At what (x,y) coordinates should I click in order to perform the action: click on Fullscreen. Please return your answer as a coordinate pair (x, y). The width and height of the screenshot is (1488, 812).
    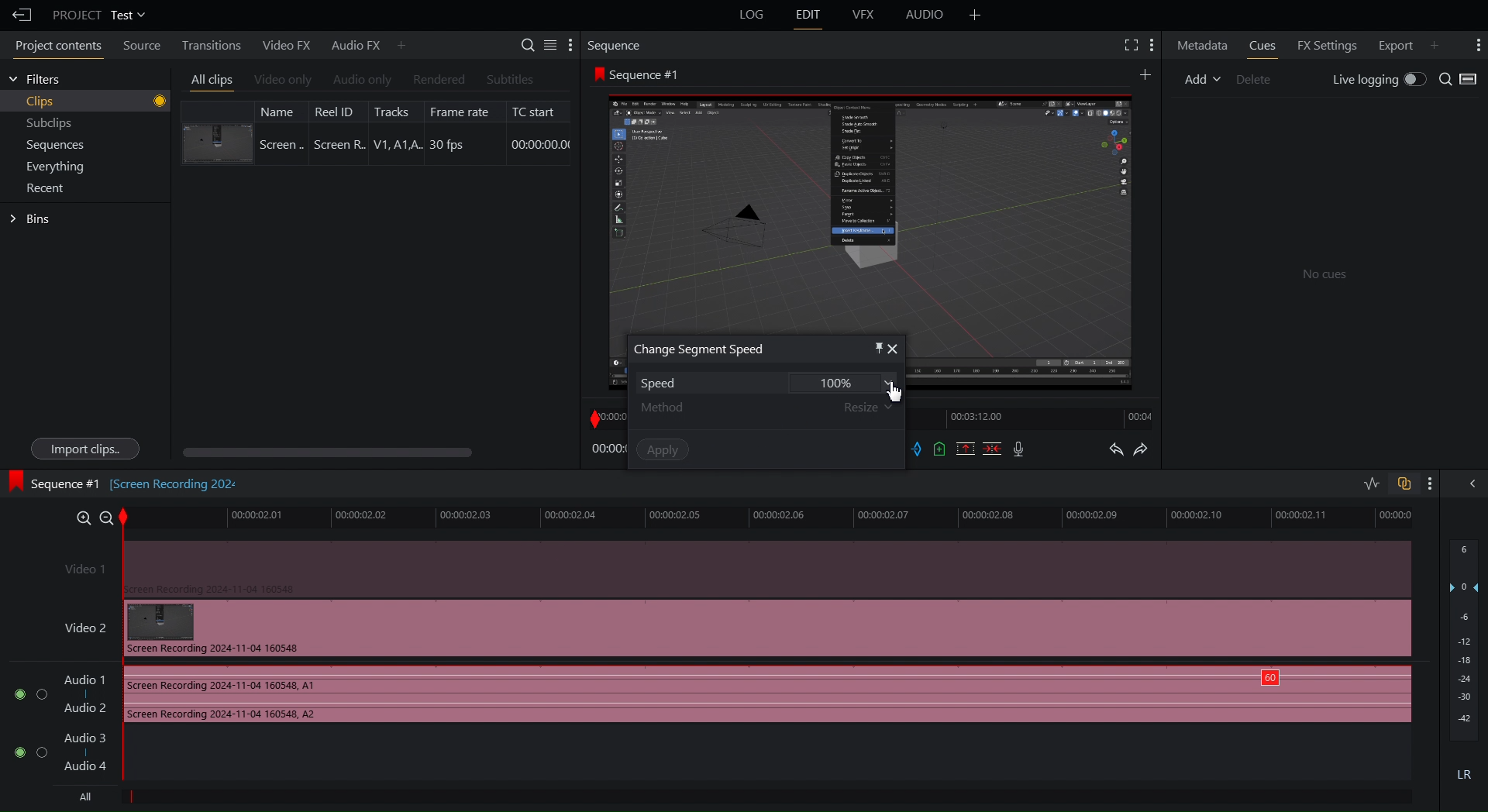
    Looking at the image, I should click on (1128, 45).